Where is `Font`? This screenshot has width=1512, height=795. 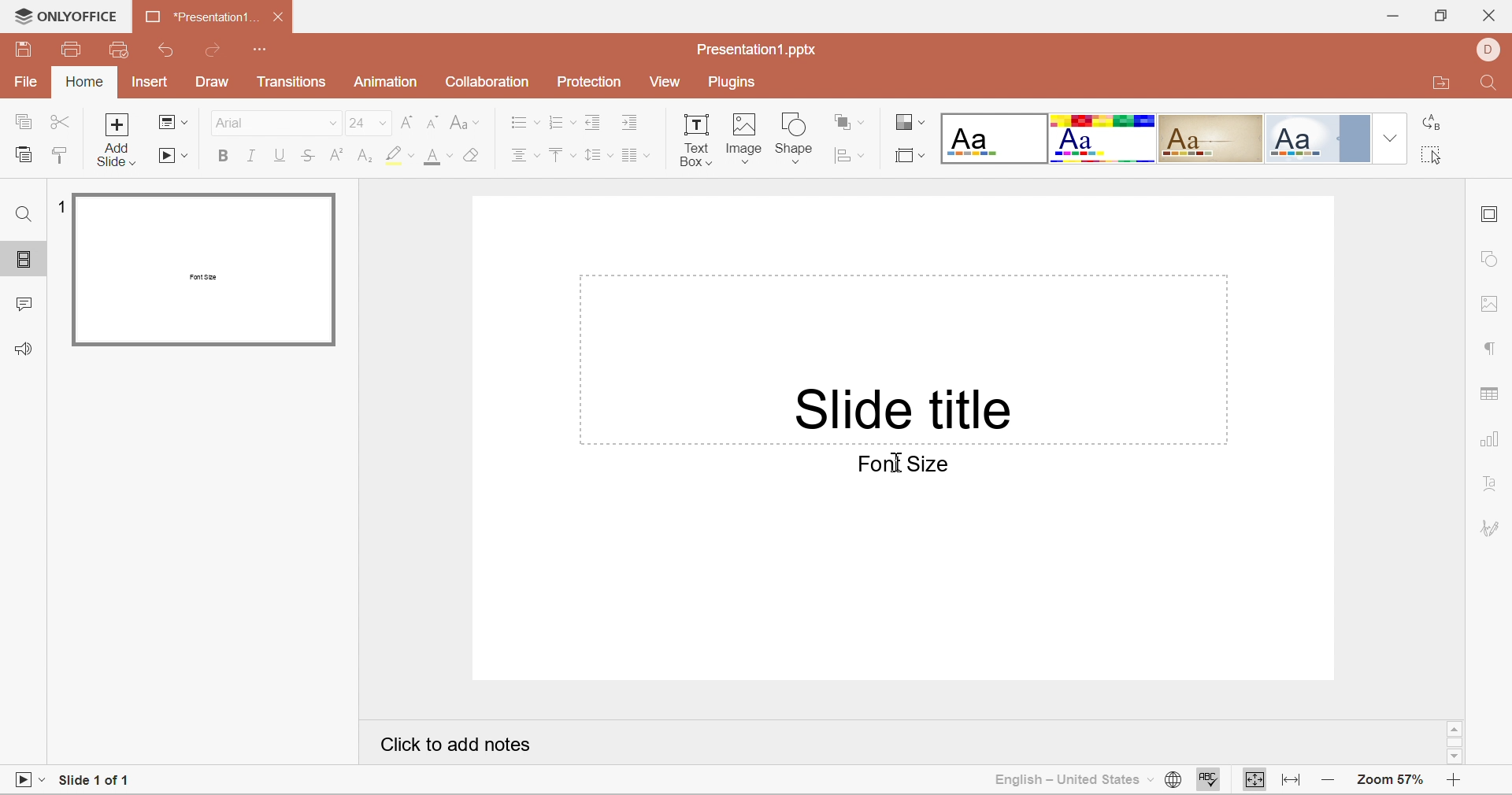 Font is located at coordinates (230, 122).